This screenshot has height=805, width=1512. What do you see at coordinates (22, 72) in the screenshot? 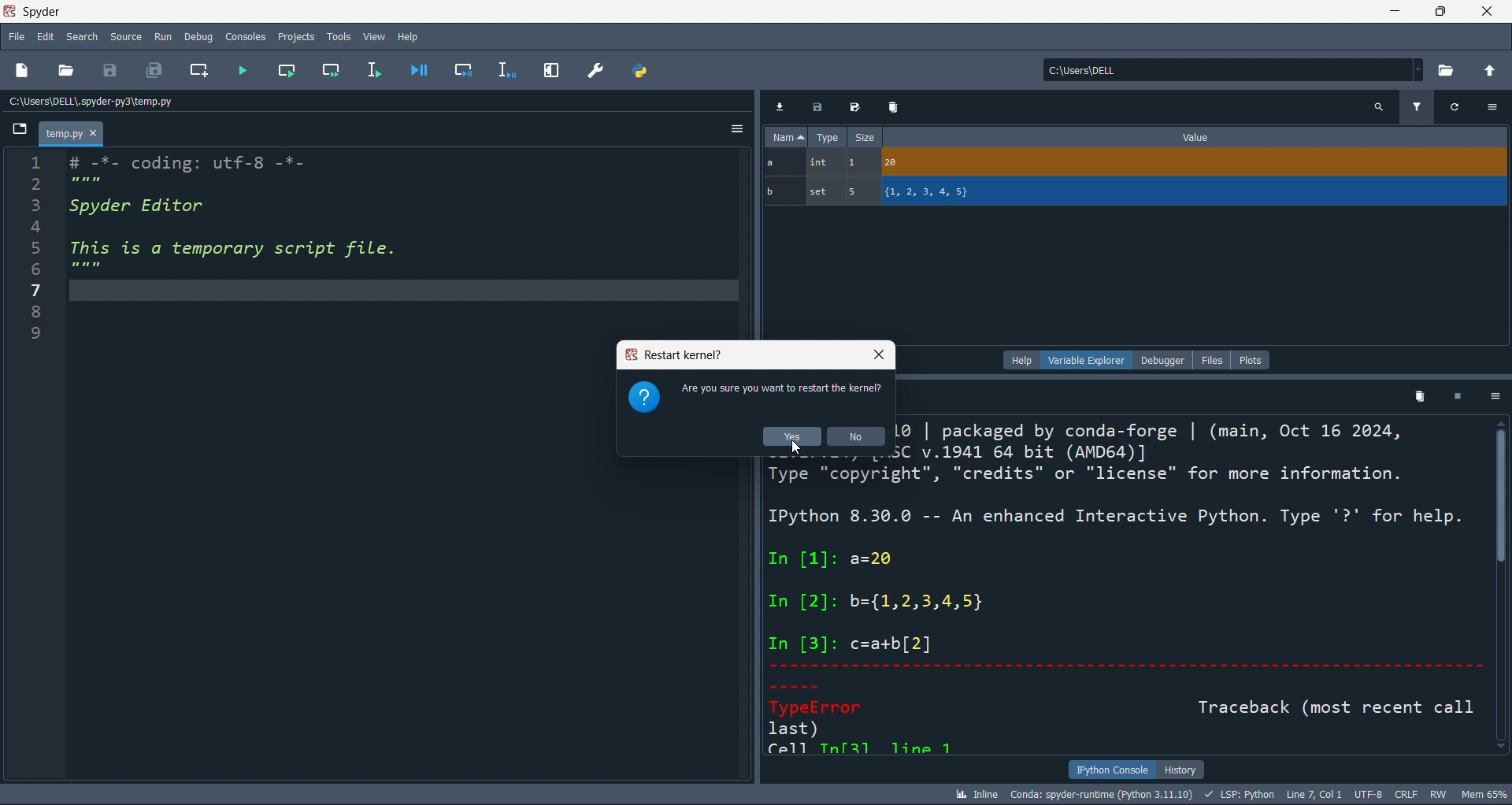
I see `new file` at bounding box center [22, 72].